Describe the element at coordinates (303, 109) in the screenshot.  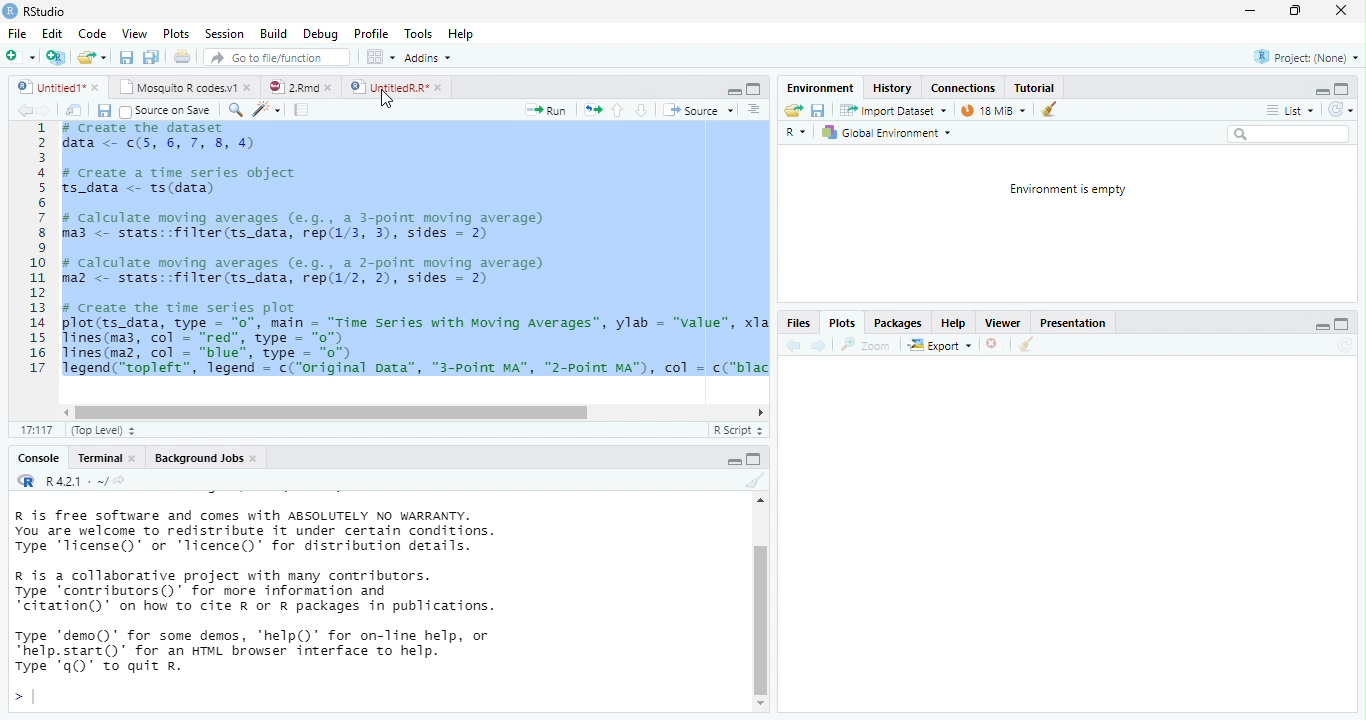
I see `compile report` at that location.